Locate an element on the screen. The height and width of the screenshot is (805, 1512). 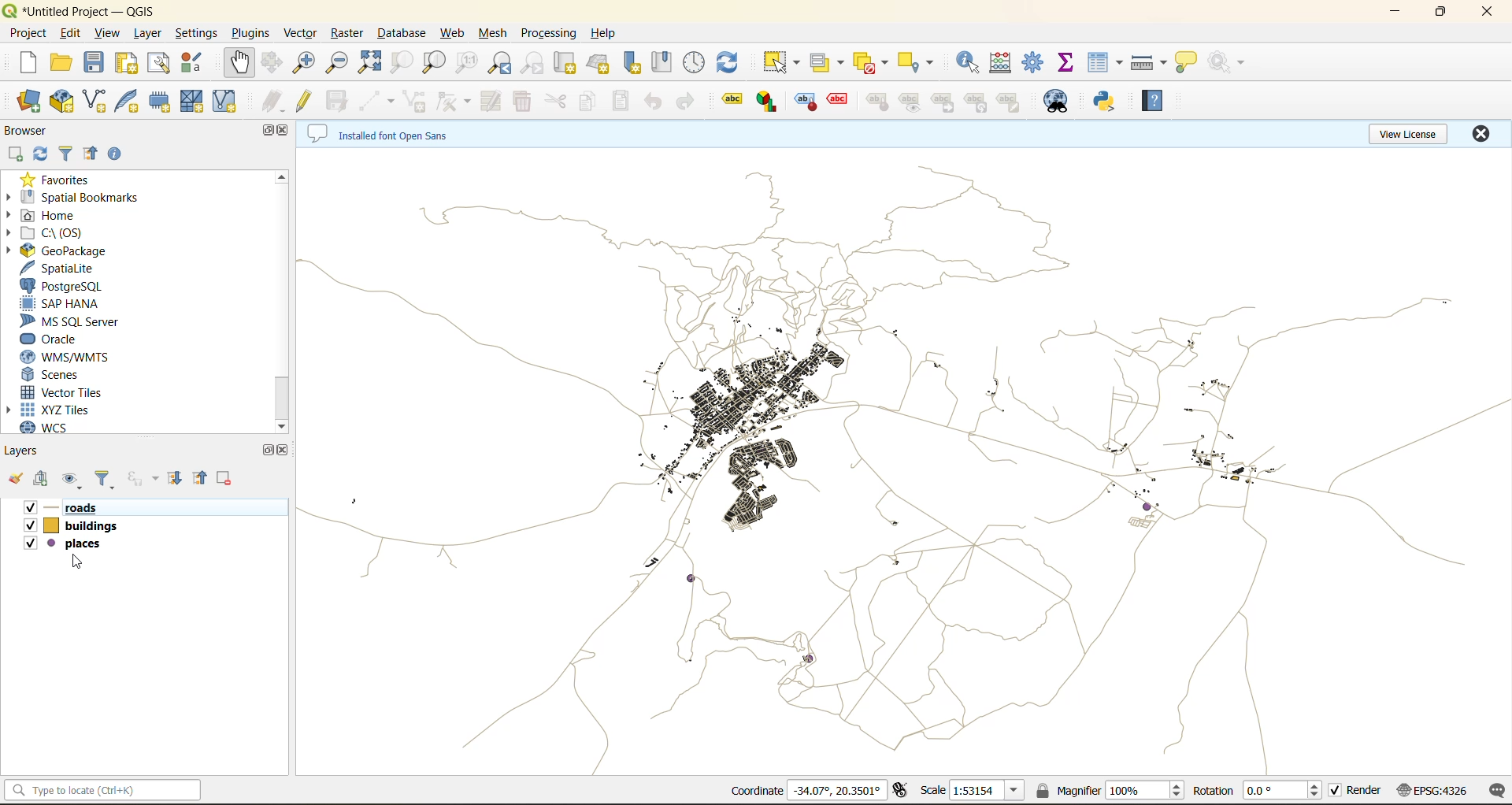
print layout is located at coordinates (123, 63).